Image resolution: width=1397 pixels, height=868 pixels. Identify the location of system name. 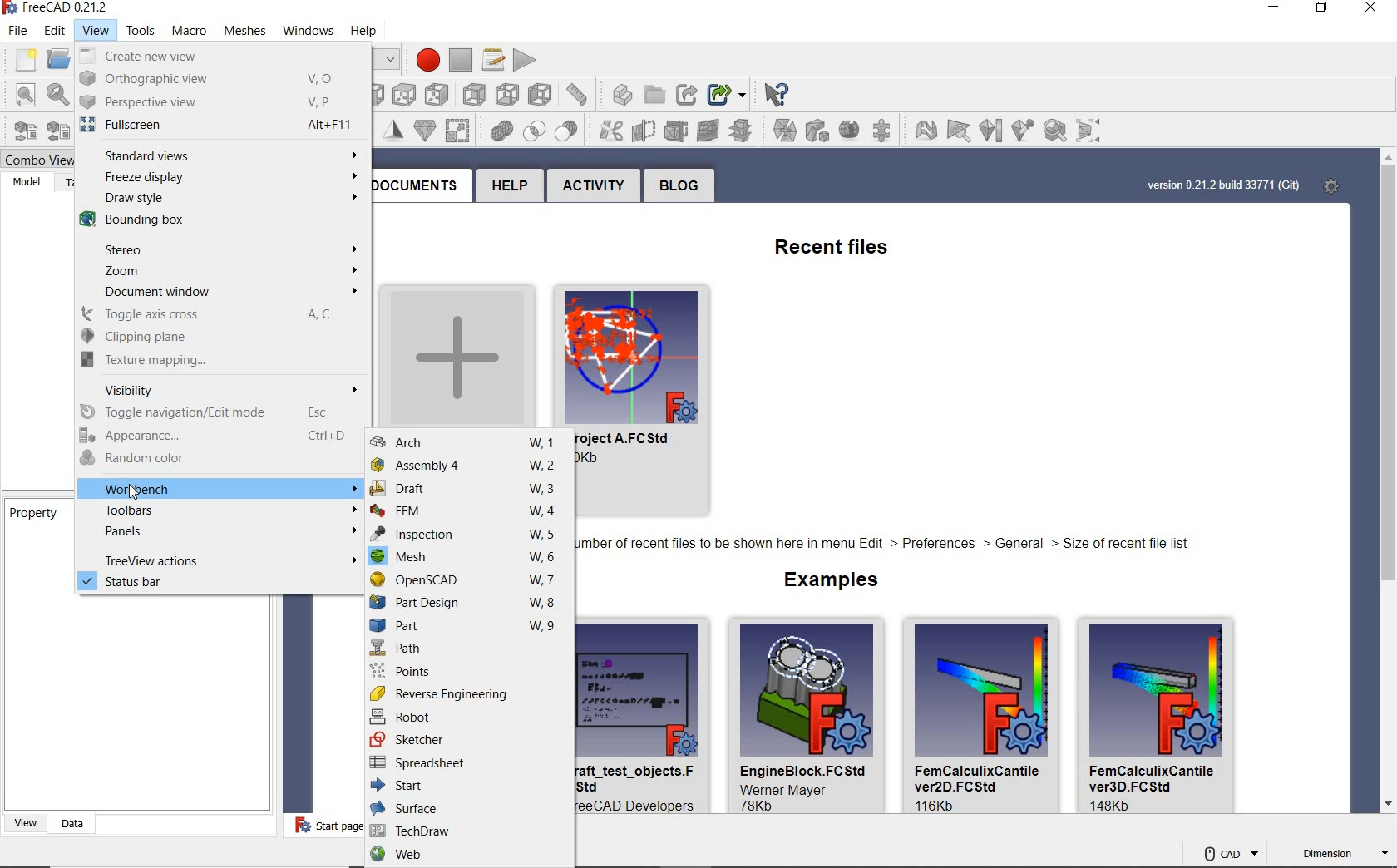
(58, 8).